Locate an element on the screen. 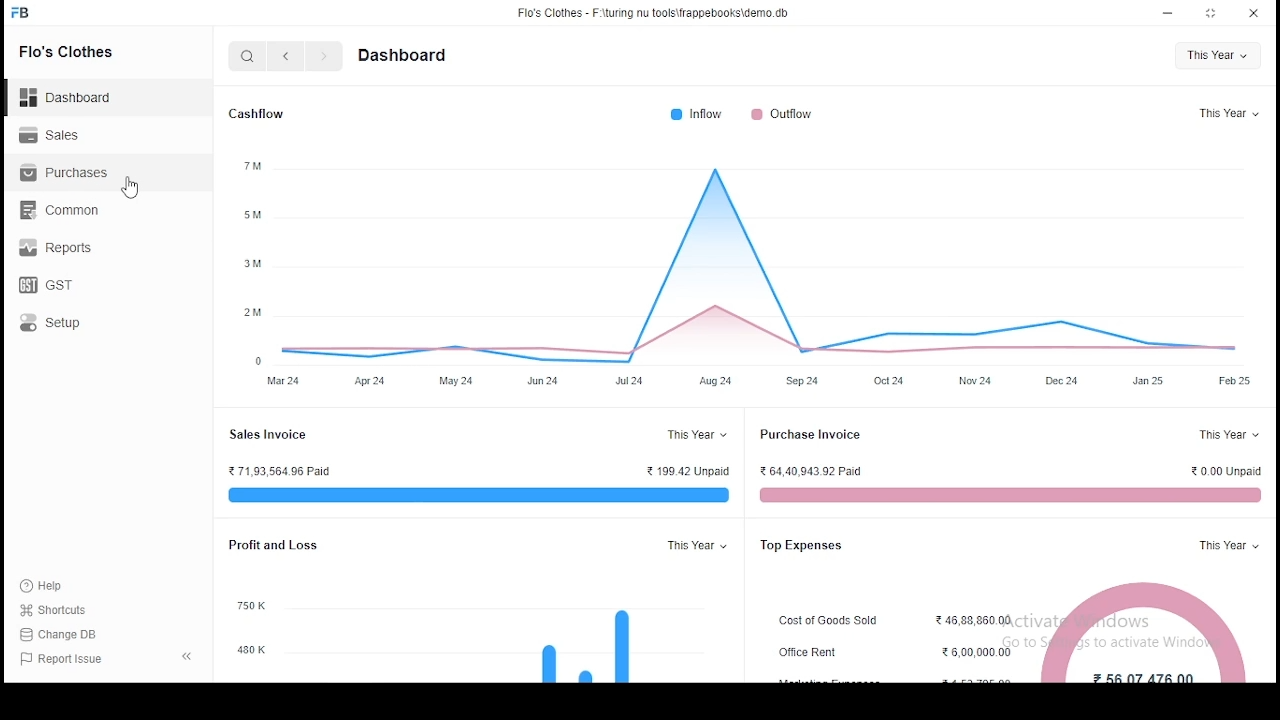  64,40,943.92 is located at coordinates (812, 472).